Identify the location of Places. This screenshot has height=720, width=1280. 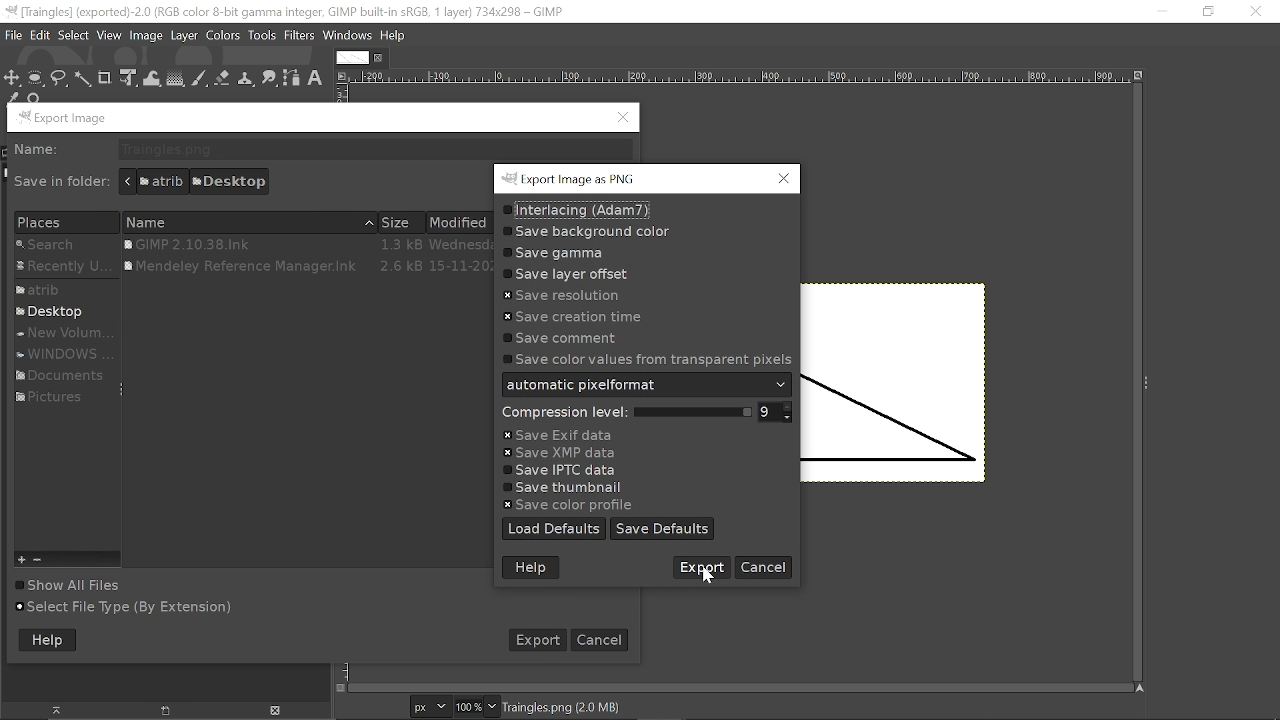
(59, 223).